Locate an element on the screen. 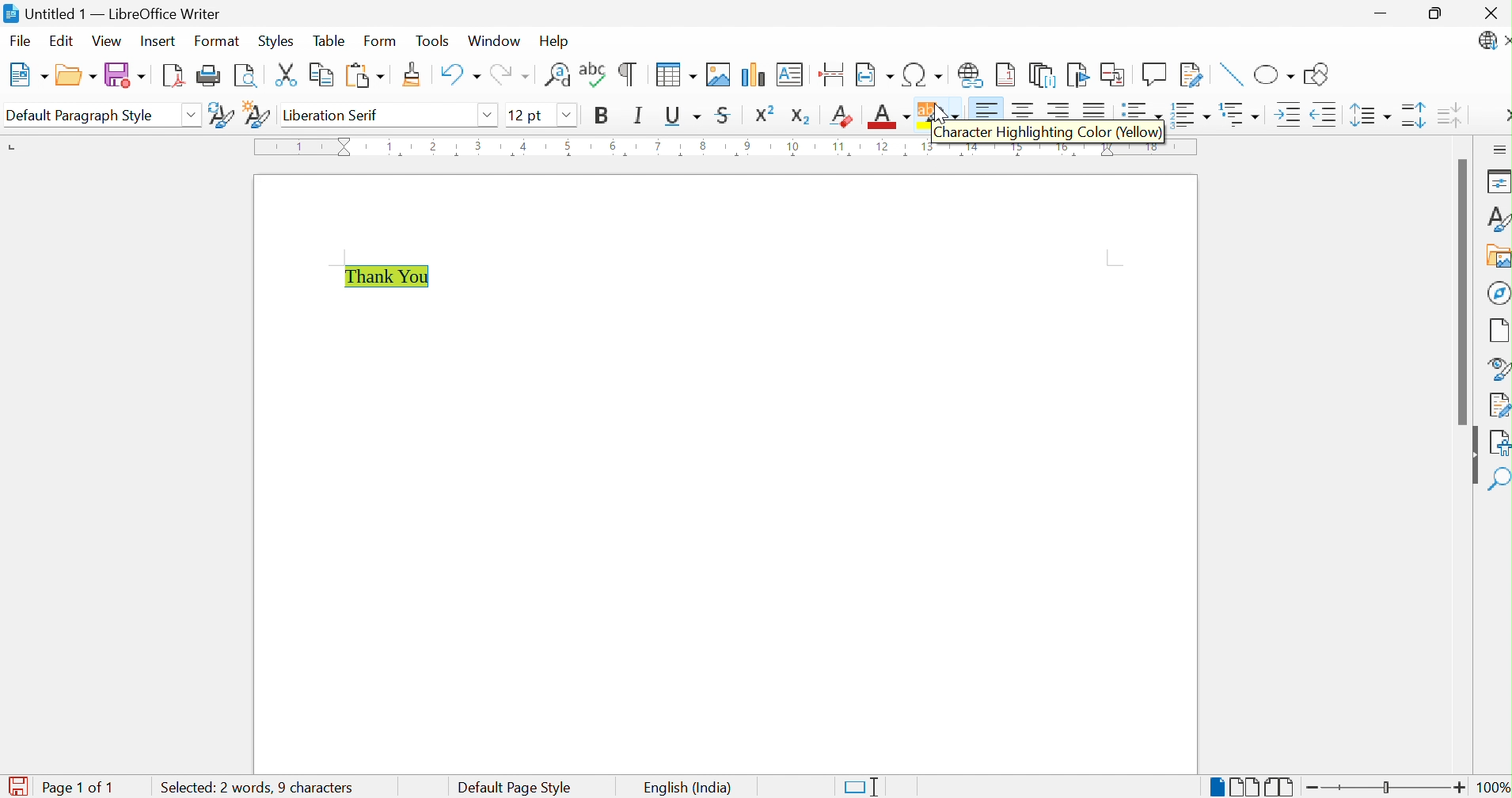  Set Line Spacing is located at coordinates (1370, 117).